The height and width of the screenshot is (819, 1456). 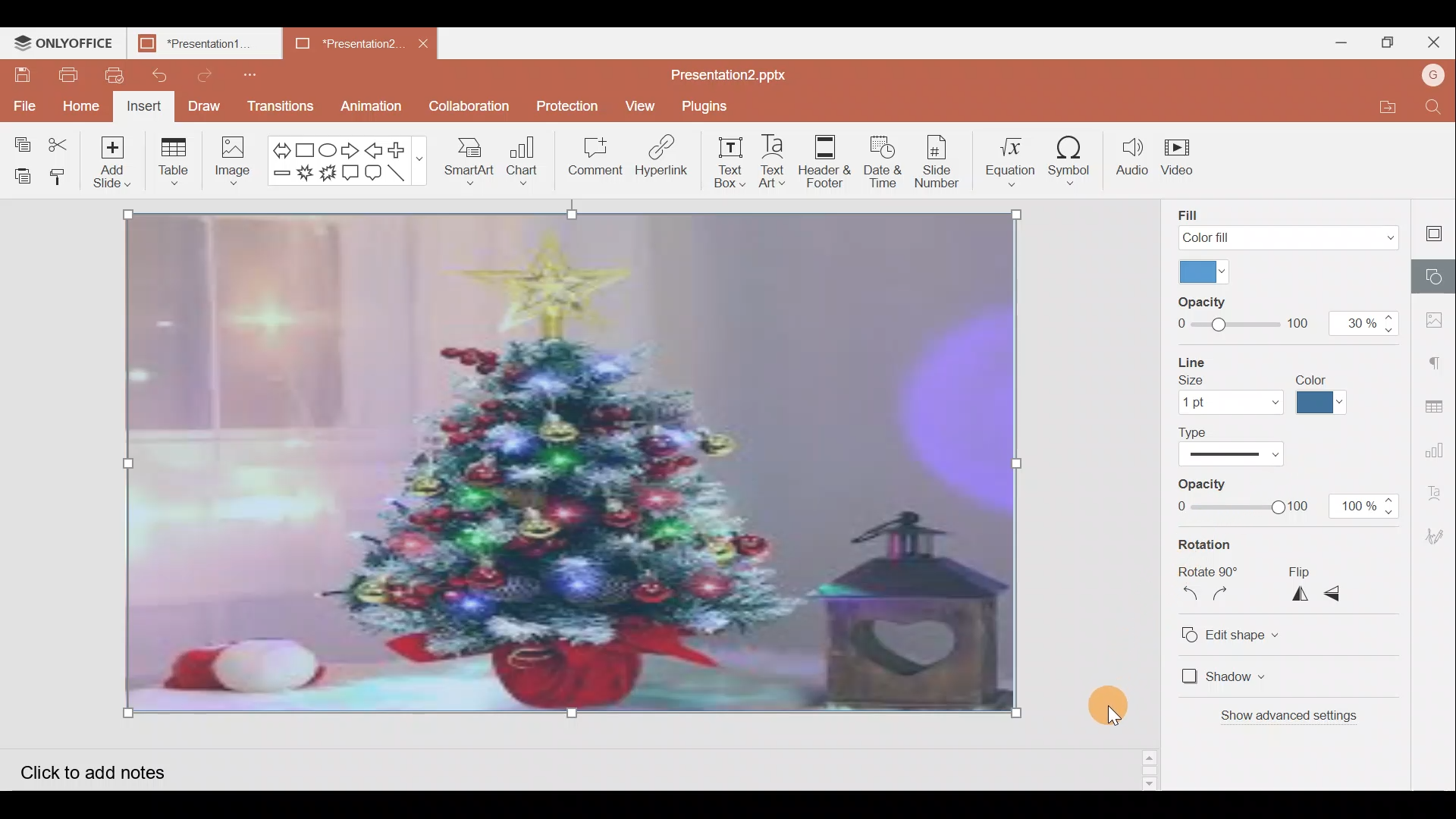 I want to click on Flip vertically, so click(x=1341, y=595).